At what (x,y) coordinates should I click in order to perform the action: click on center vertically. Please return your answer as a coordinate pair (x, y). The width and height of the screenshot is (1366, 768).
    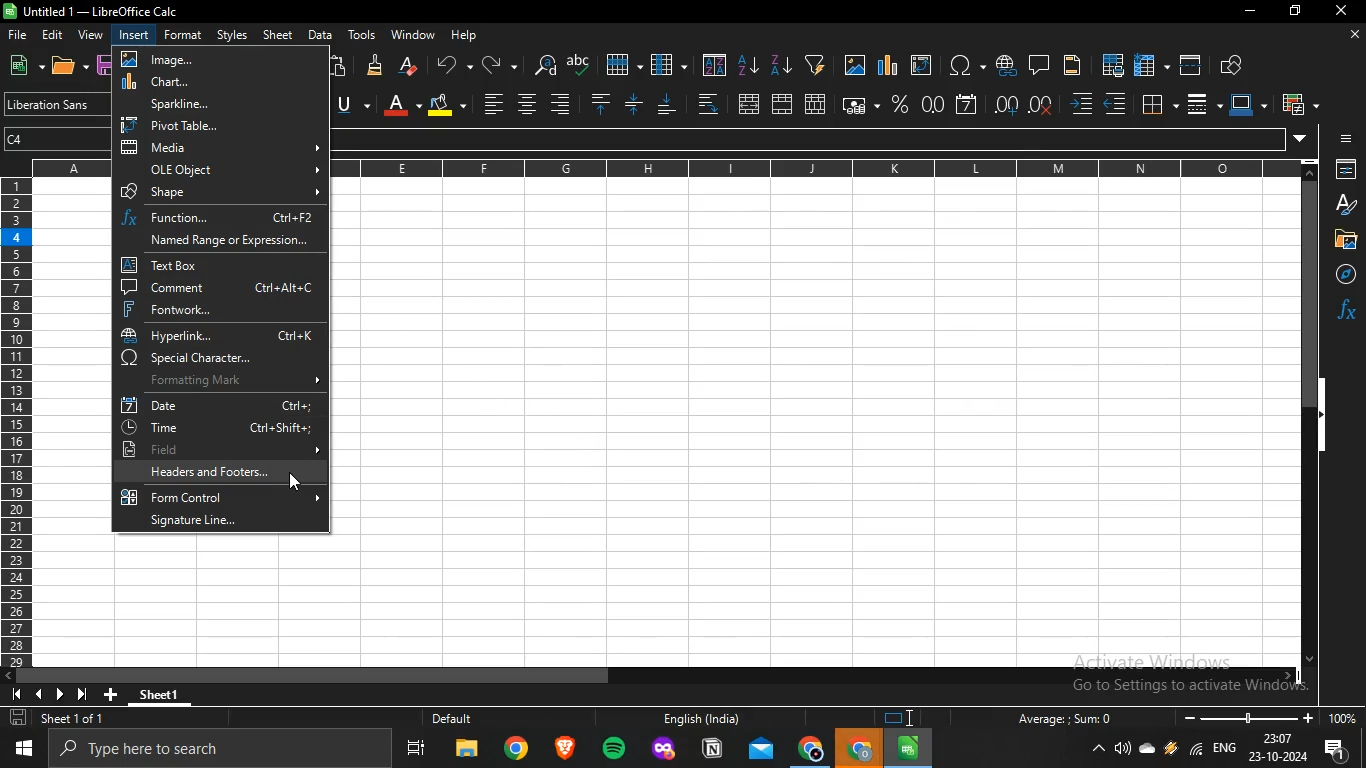
    Looking at the image, I should click on (633, 103).